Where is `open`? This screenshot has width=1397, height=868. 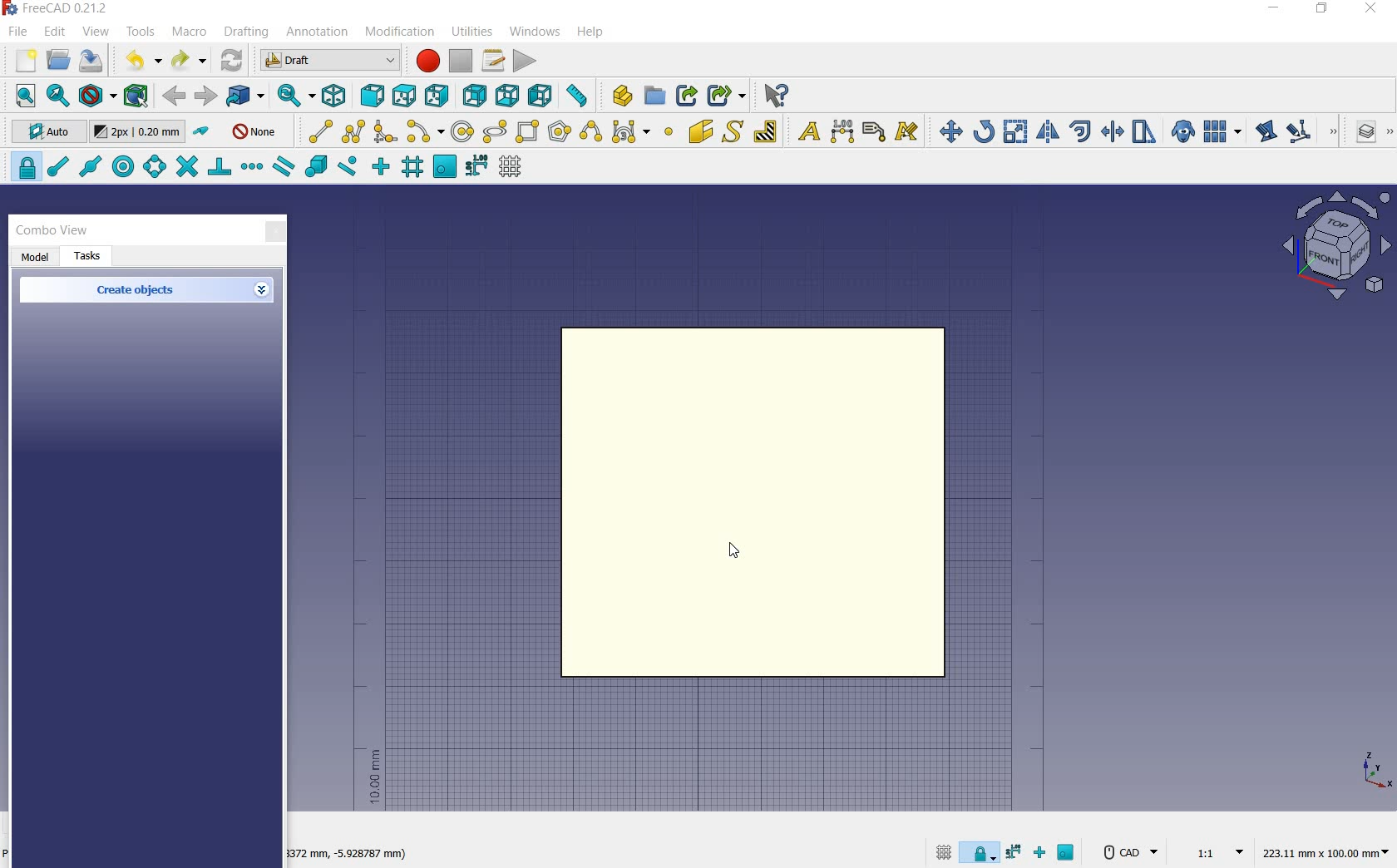
open is located at coordinates (58, 59).